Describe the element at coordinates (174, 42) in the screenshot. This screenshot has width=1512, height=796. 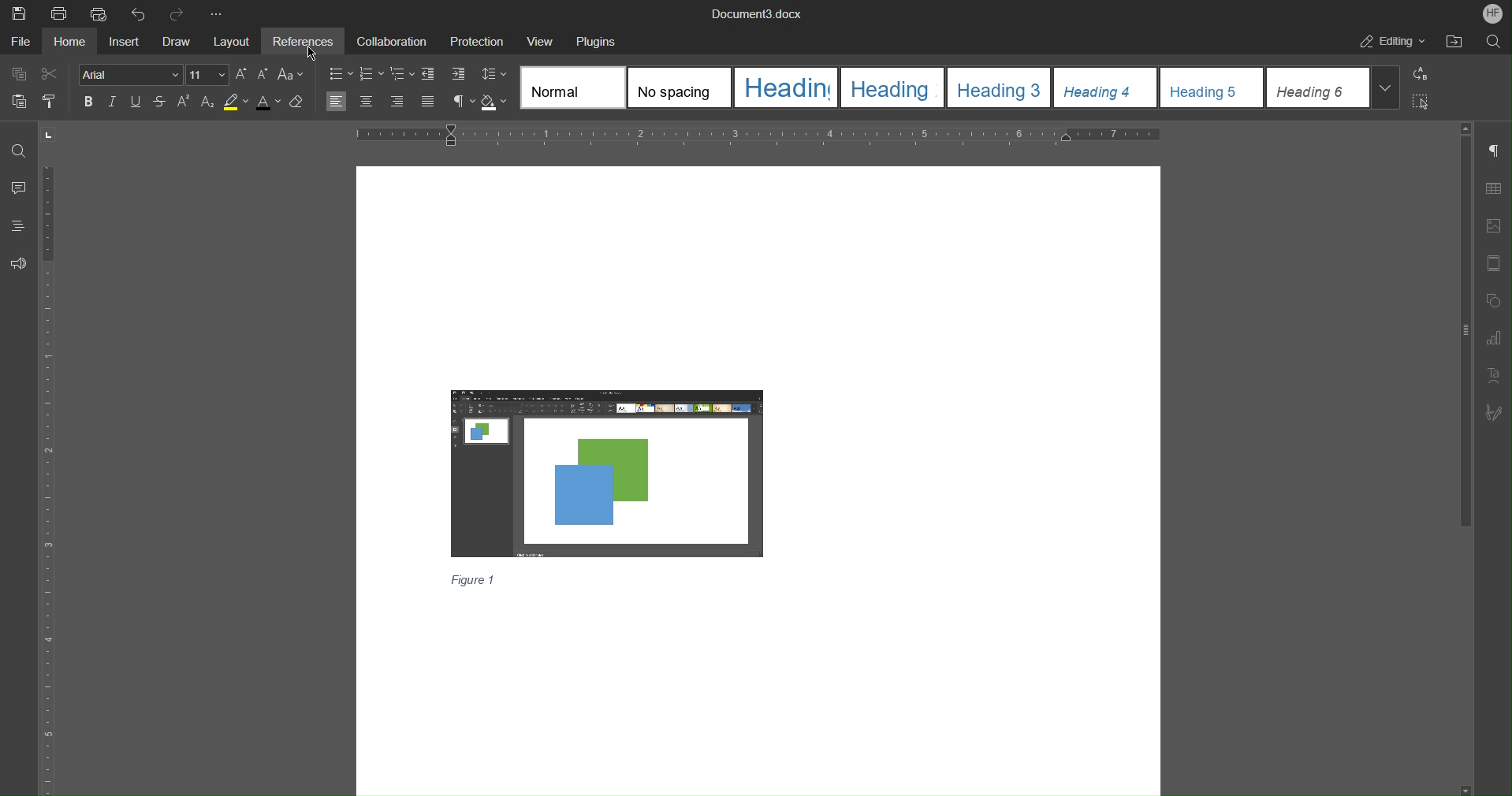
I see `Draw` at that location.